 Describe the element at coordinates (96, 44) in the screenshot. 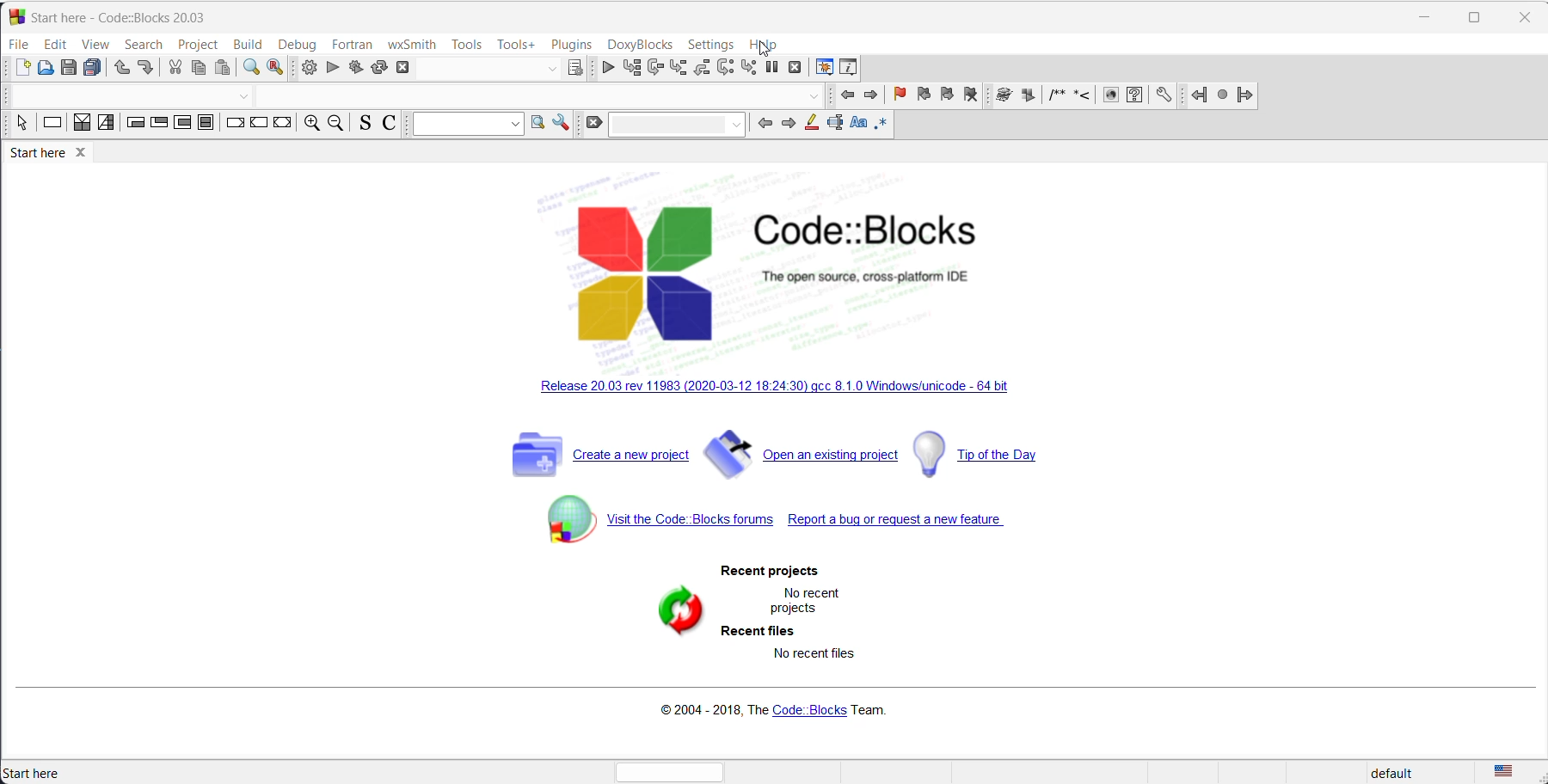

I see `view` at that location.